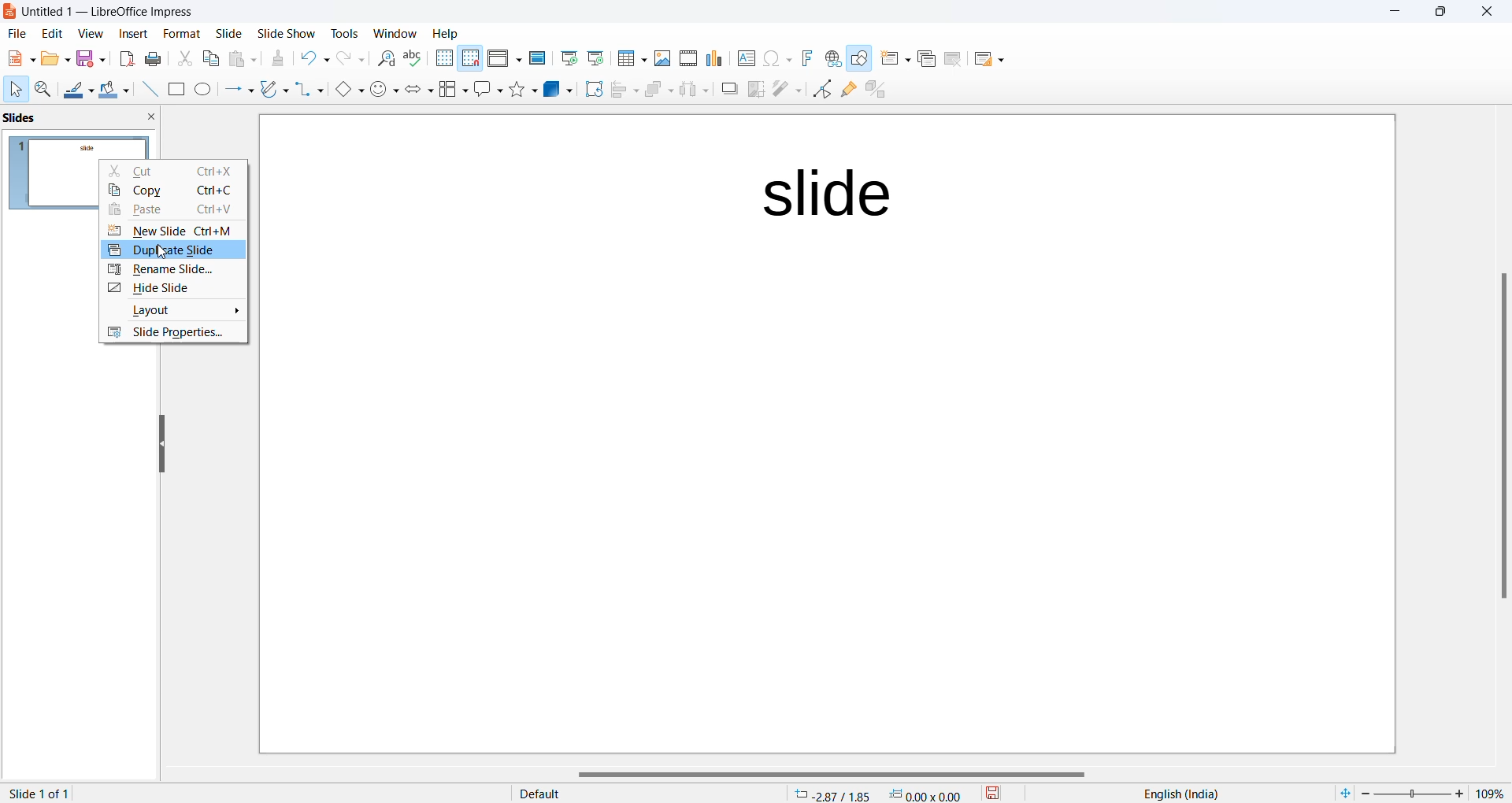  I want to click on INSERT Special characters, so click(774, 58).